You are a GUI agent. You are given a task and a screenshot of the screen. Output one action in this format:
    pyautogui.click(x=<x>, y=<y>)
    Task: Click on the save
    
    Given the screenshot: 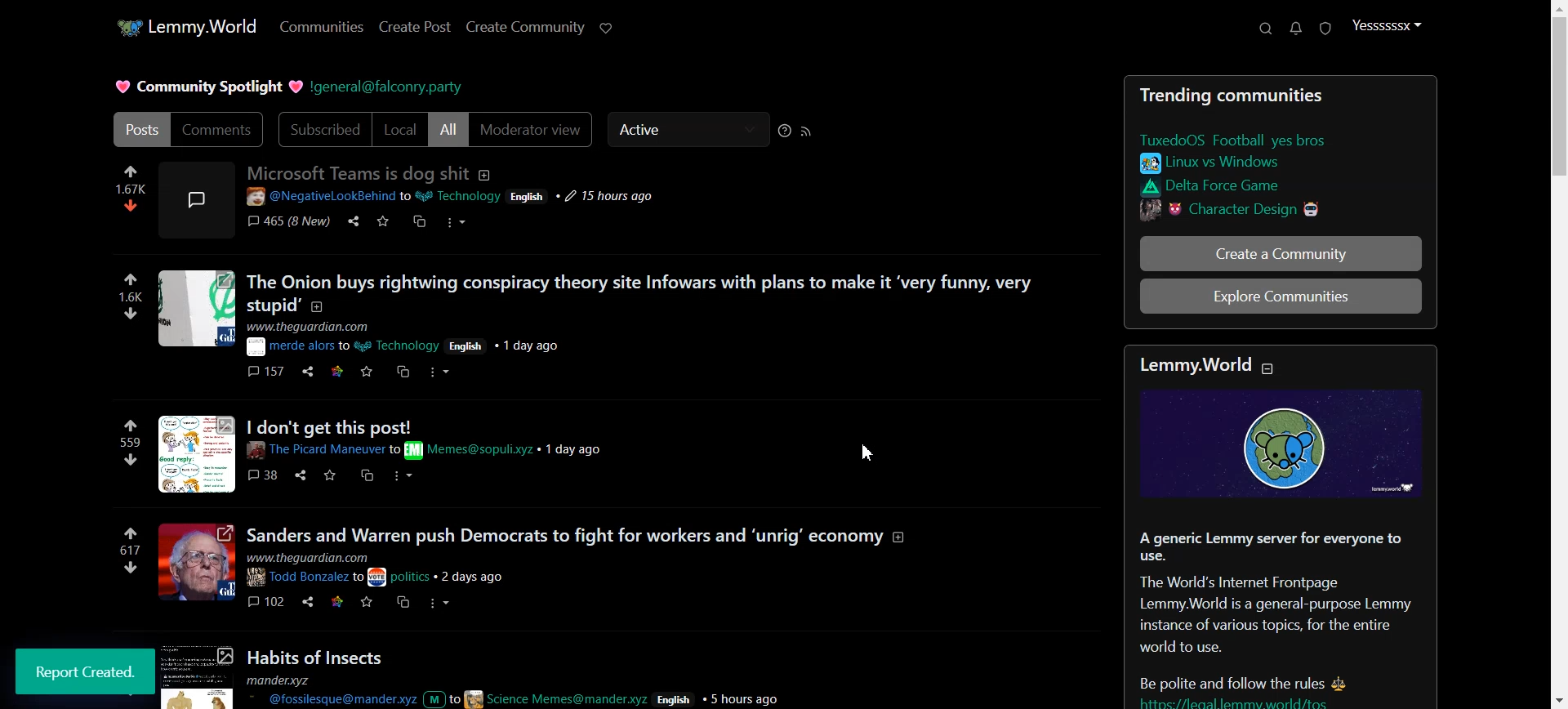 What is the action you would take?
    pyautogui.click(x=369, y=602)
    